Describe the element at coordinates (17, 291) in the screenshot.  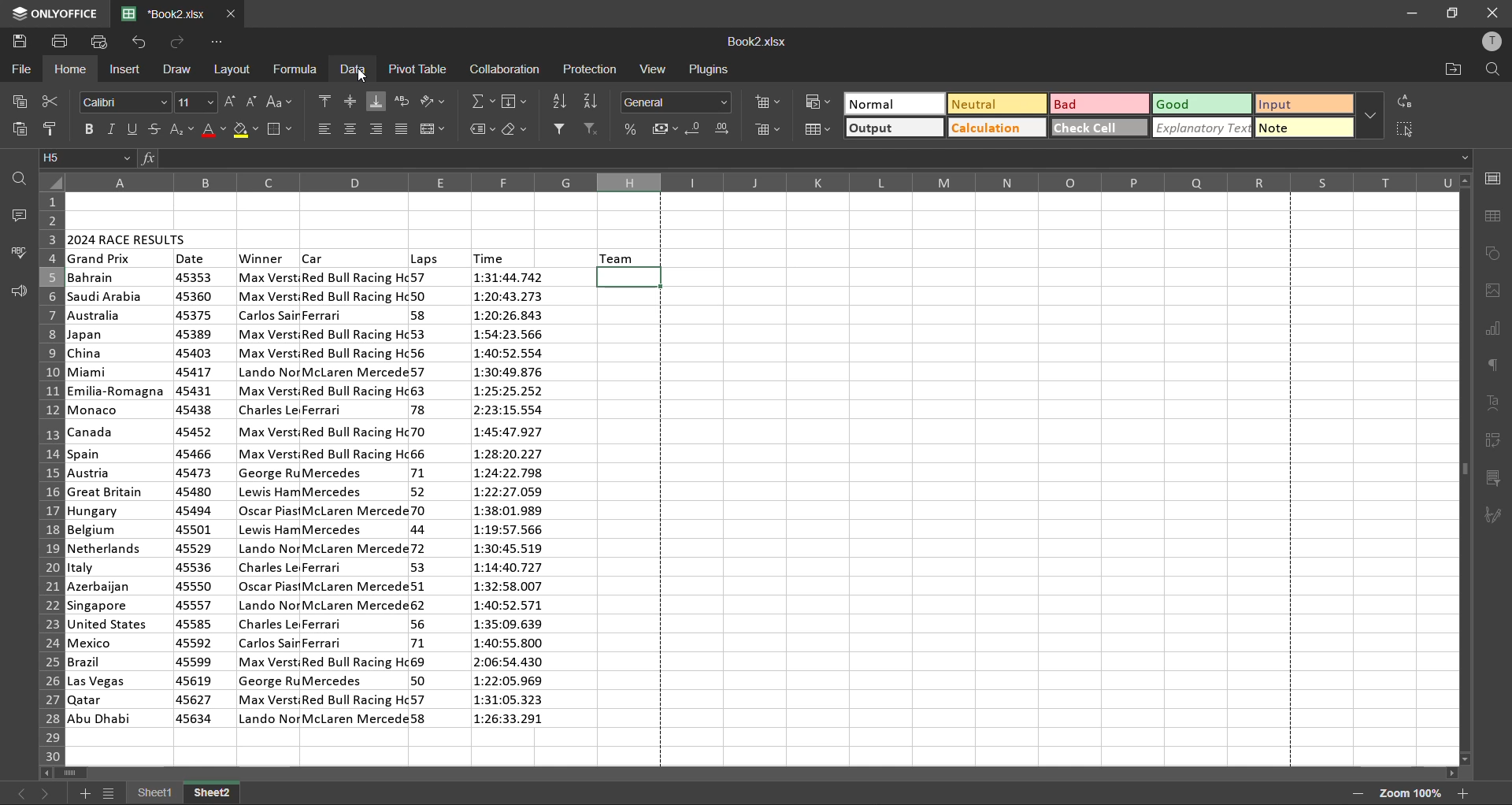
I see `feedback` at that location.